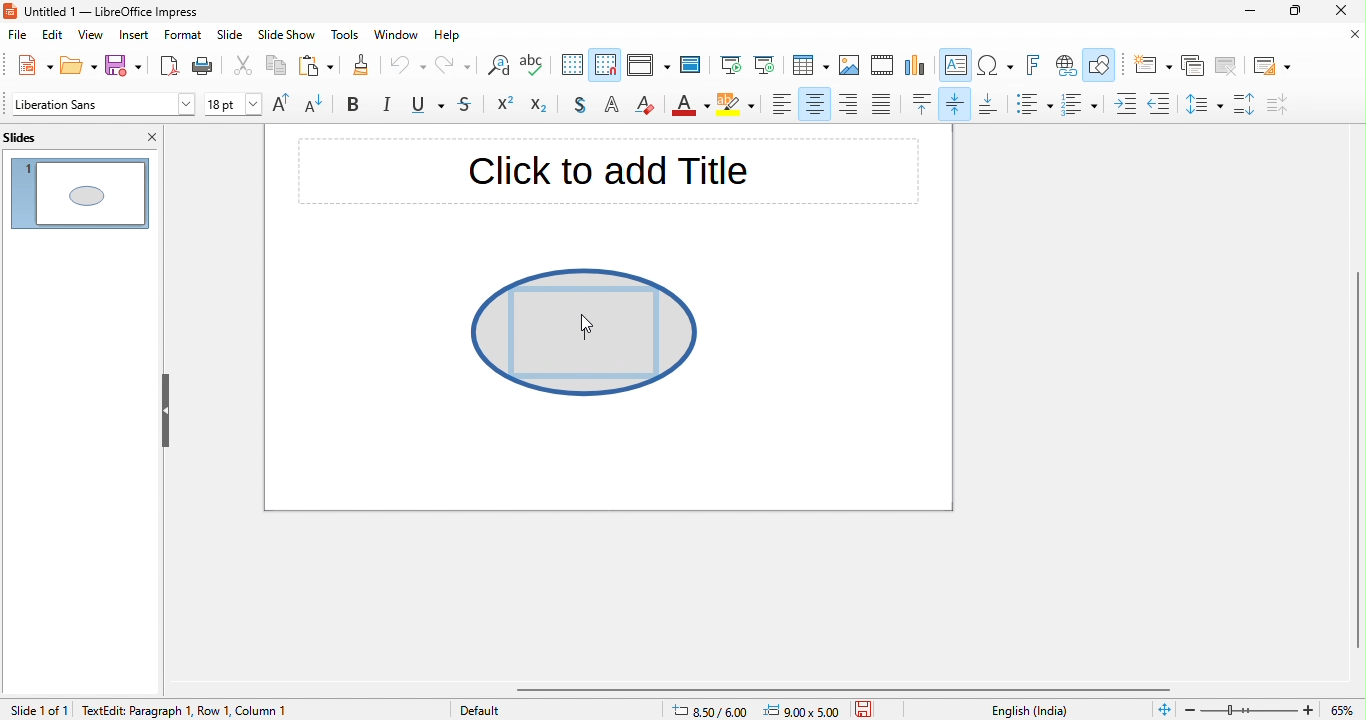 The height and width of the screenshot is (720, 1366). What do you see at coordinates (357, 106) in the screenshot?
I see `bold` at bounding box center [357, 106].